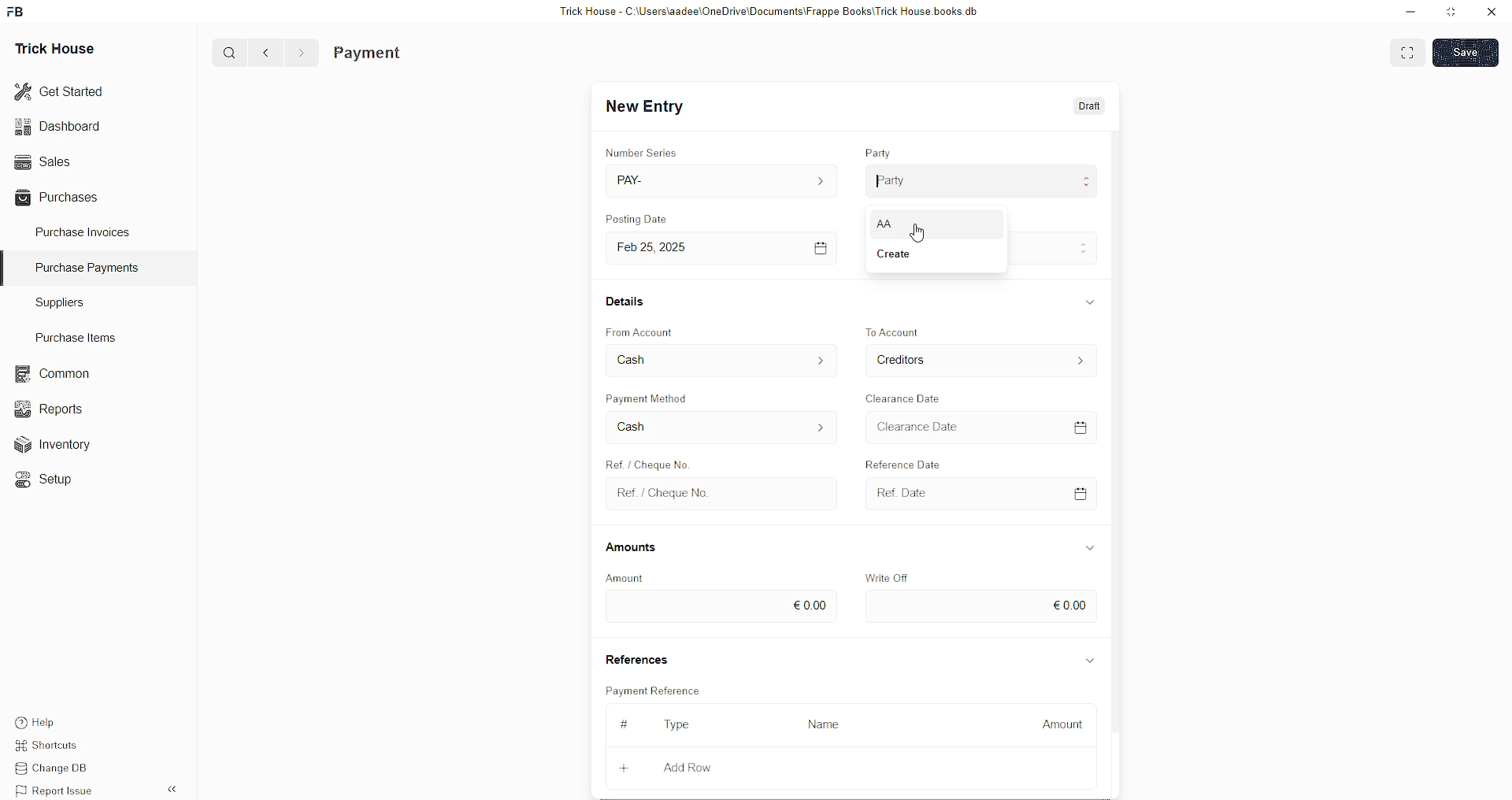  What do you see at coordinates (907, 359) in the screenshot?
I see `To Account` at bounding box center [907, 359].